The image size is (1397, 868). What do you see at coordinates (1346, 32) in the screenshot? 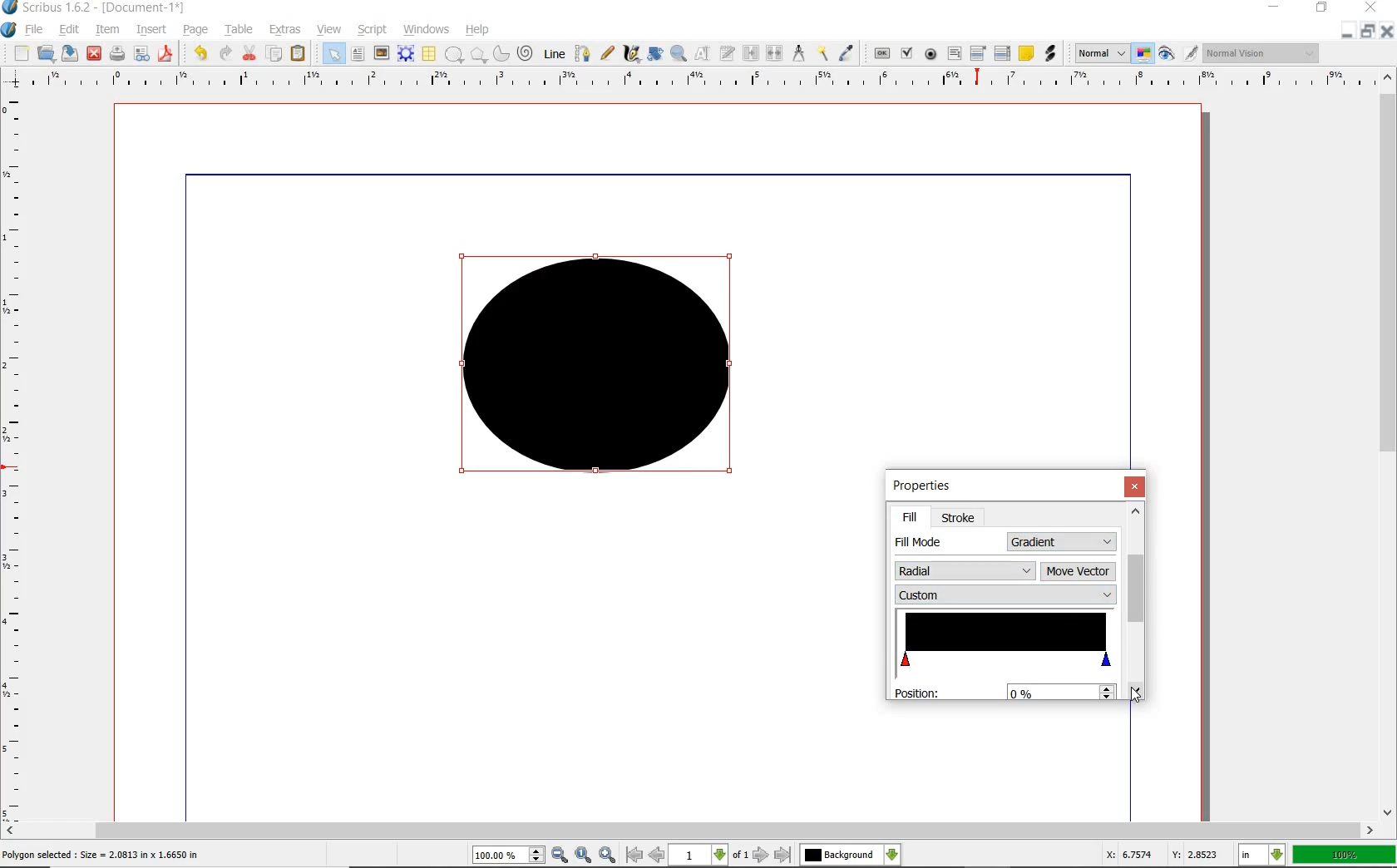
I see `MINIMIZE` at bounding box center [1346, 32].